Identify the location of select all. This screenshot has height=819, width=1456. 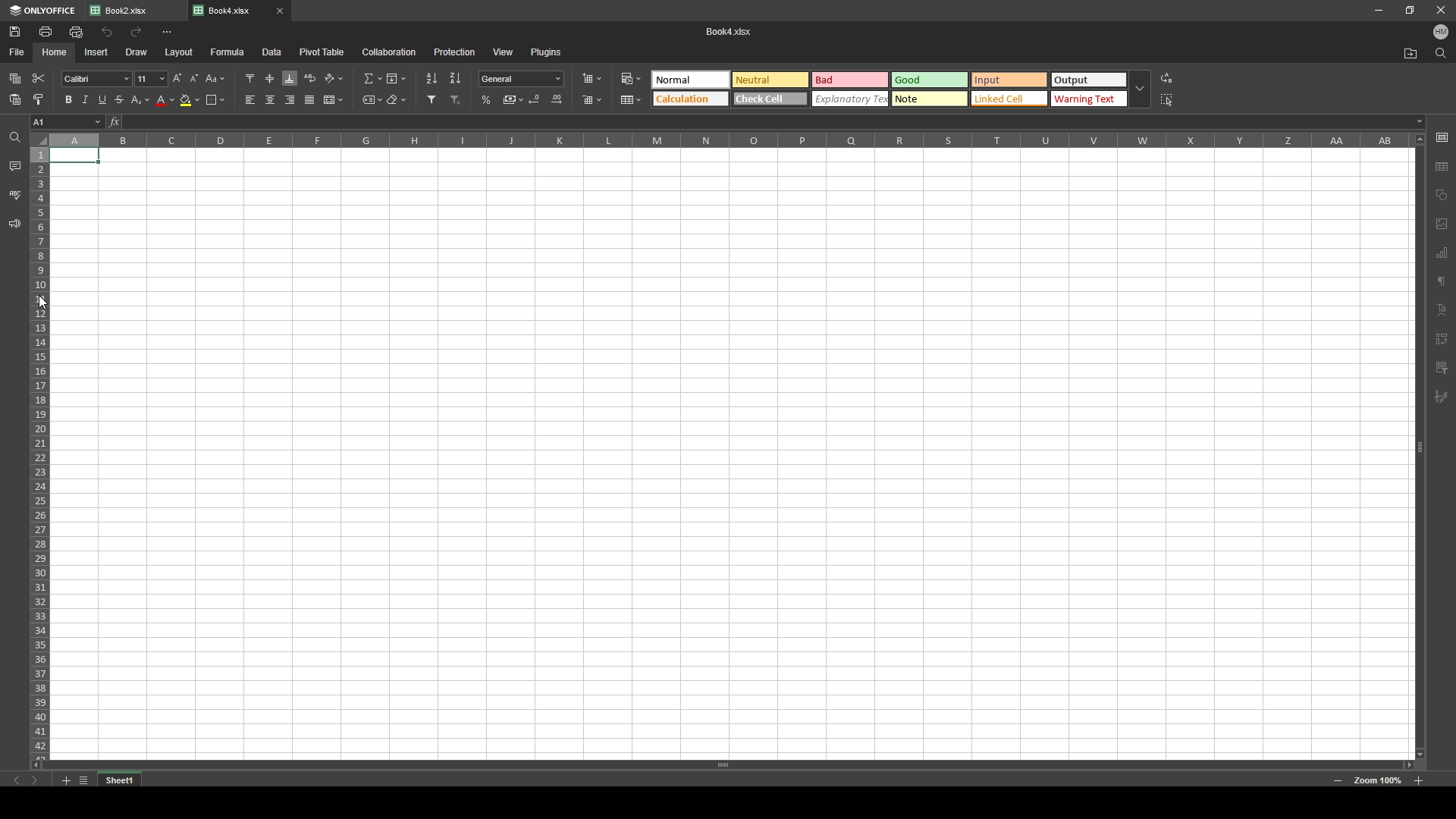
(1169, 99).